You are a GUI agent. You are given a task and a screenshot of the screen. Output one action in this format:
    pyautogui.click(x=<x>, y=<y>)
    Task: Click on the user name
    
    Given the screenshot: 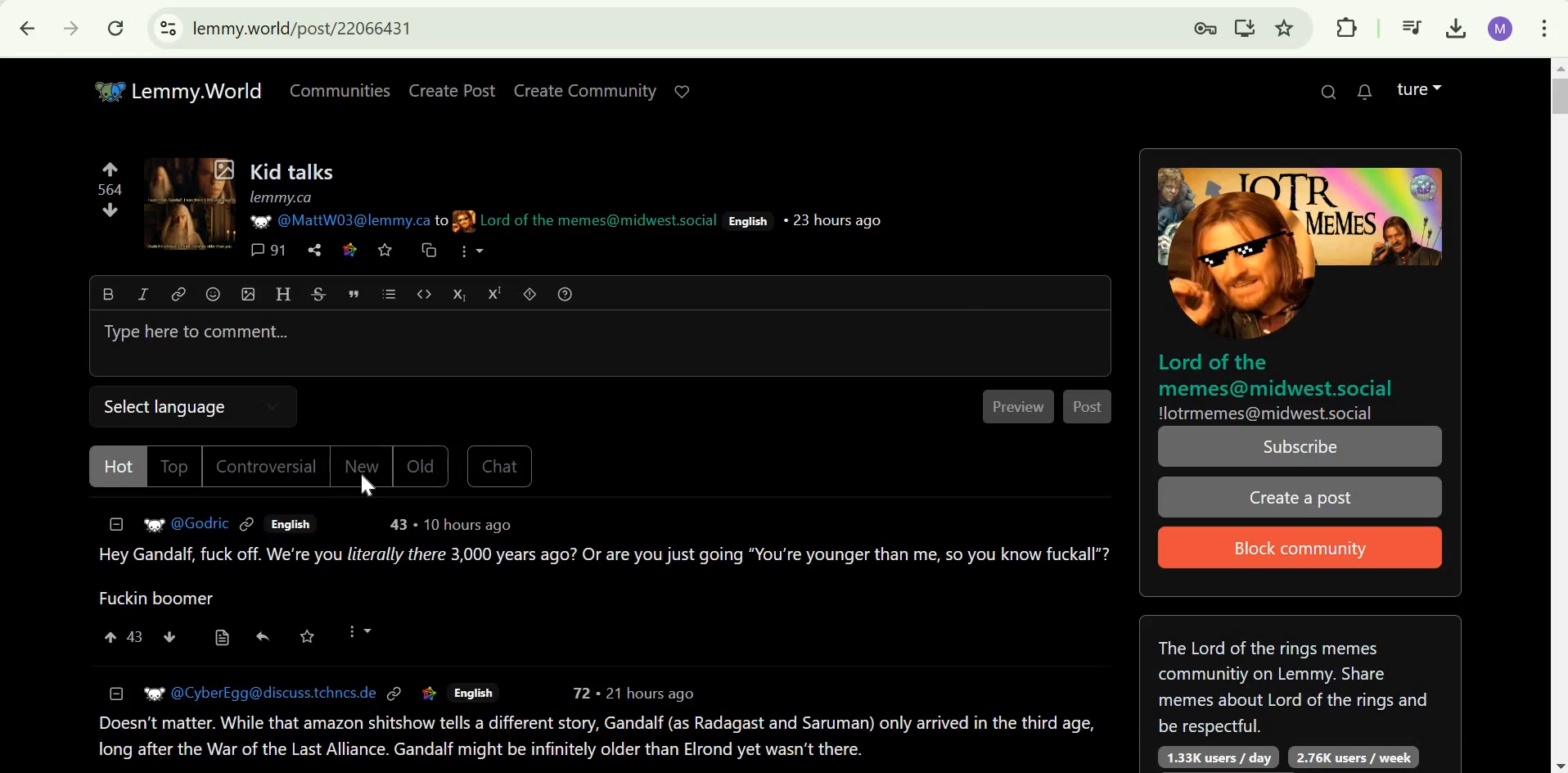 What is the action you would take?
    pyautogui.click(x=201, y=522)
    